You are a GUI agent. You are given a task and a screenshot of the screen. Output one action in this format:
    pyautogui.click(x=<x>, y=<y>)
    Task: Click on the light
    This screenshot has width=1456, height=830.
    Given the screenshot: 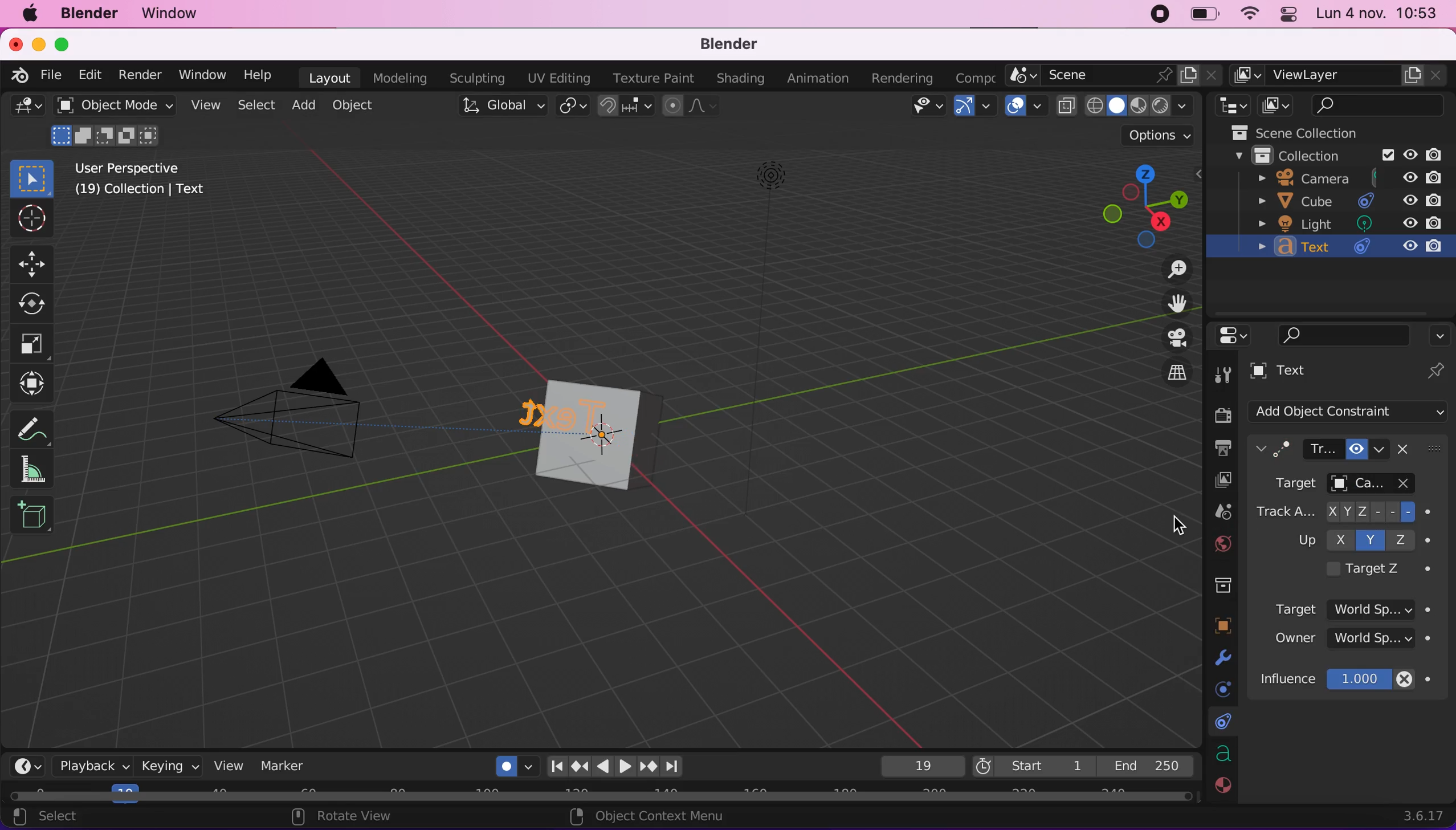 What is the action you would take?
    pyautogui.click(x=1352, y=223)
    